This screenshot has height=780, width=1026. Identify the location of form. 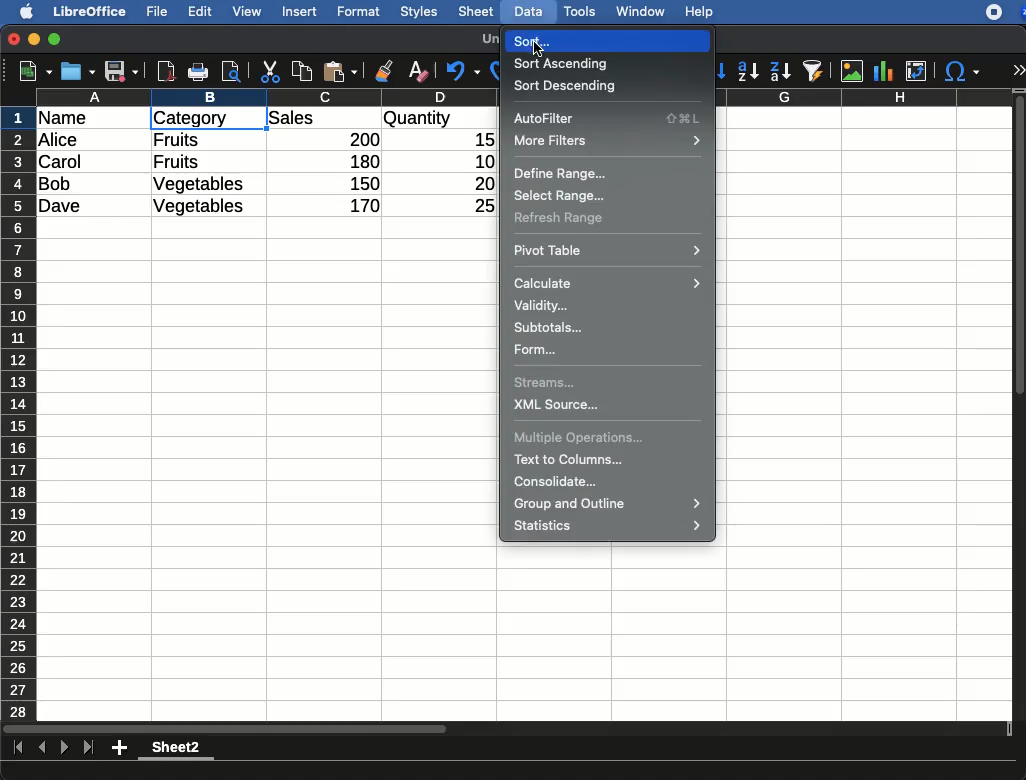
(537, 350).